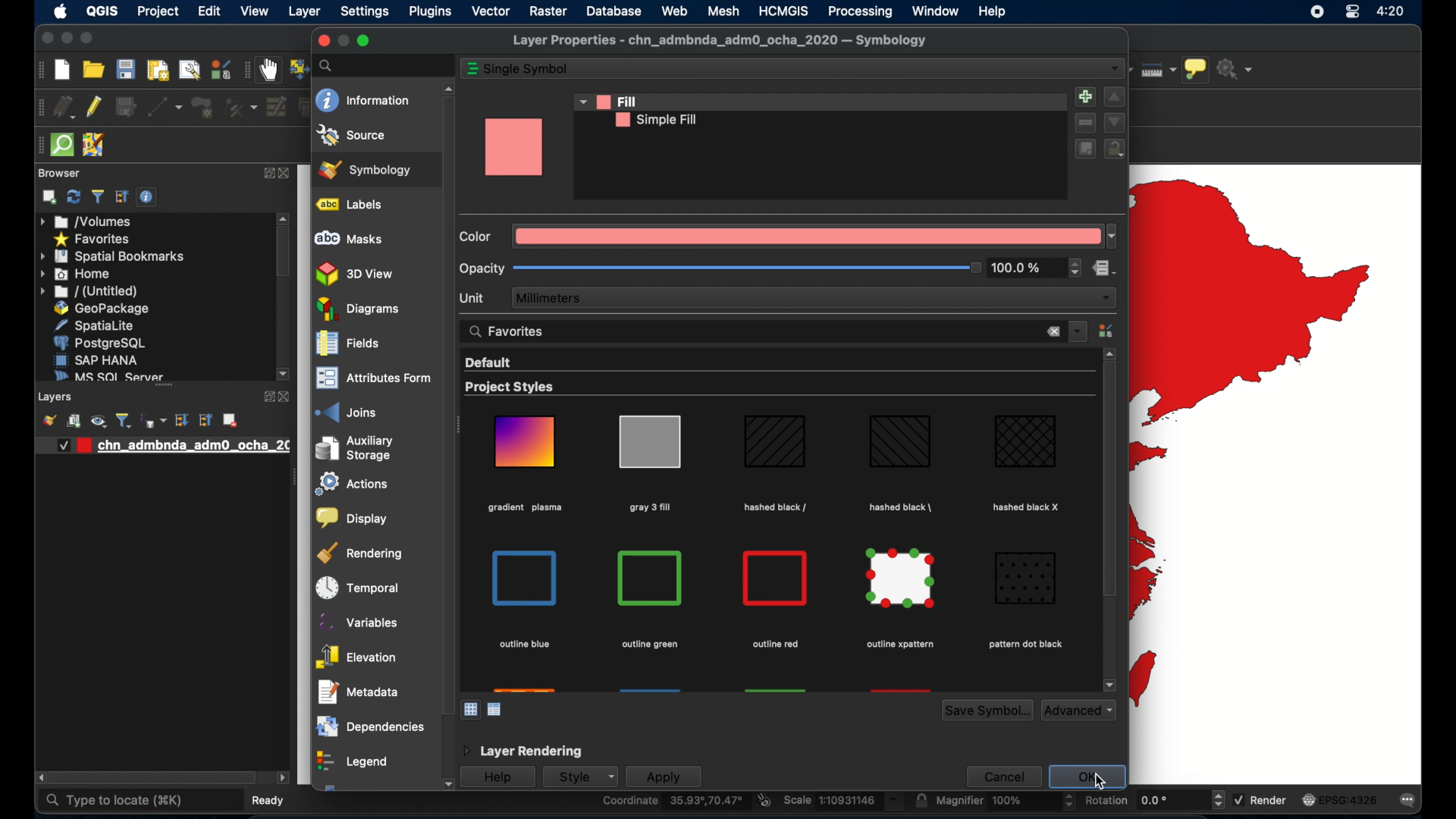 The image size is (1456, 819). I want to click on QGIS, so click(102, 13).